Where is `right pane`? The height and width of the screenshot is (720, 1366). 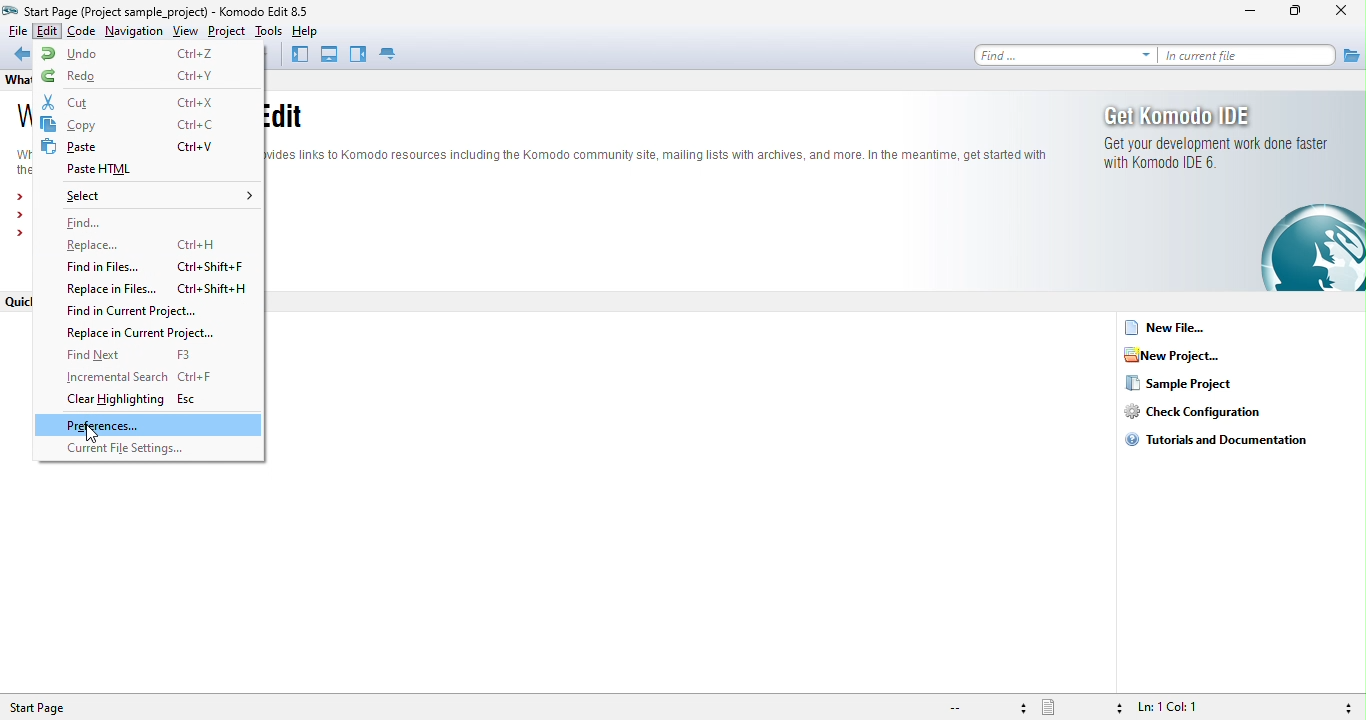
right pane is located at coordinates (359, 55).